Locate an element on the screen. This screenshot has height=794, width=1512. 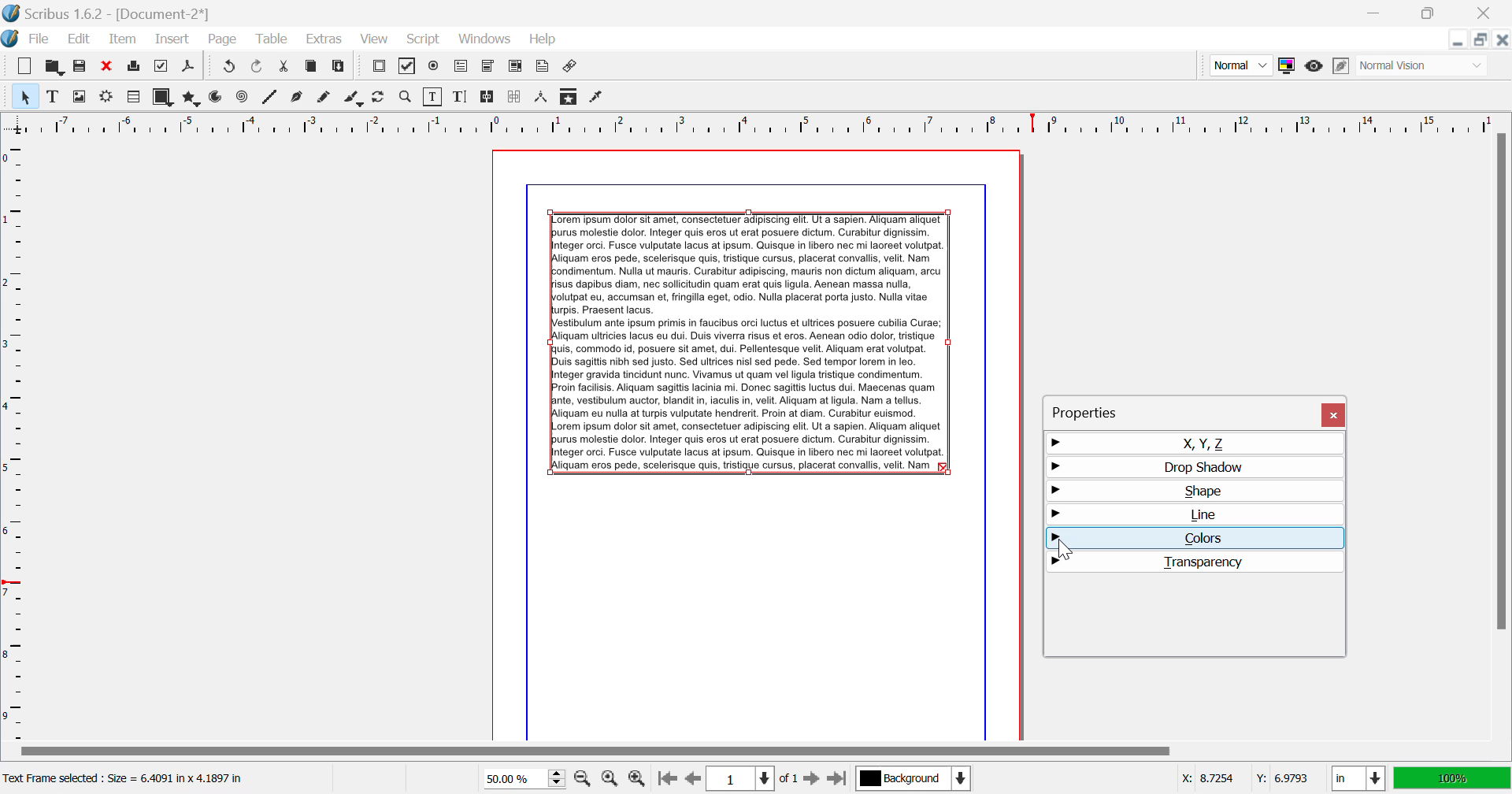
Select is located at coordinates (24, 95).